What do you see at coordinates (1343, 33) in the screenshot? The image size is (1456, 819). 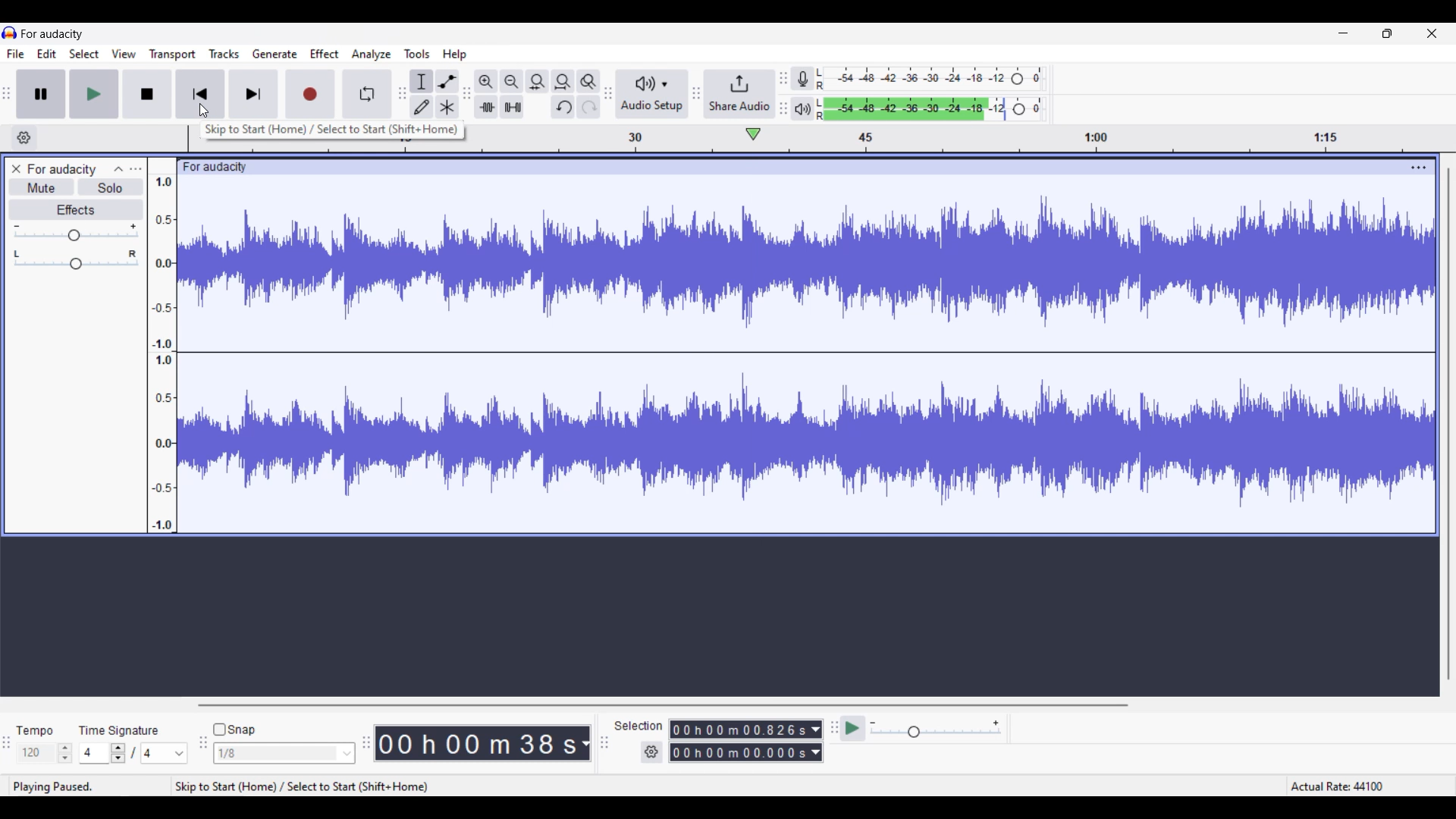 I see `Minimize` at bounding box center [1343, 33].